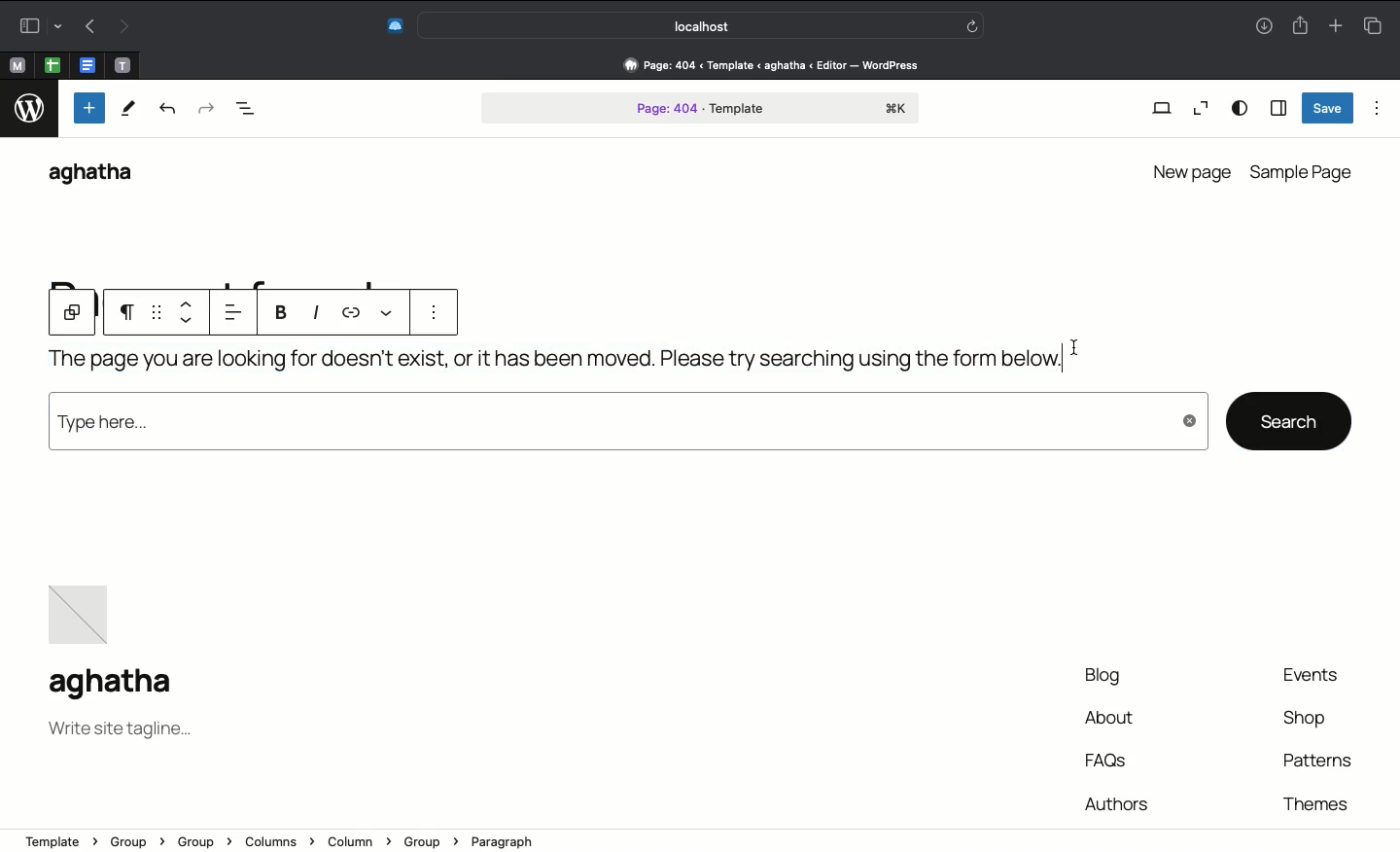 The height and width of the screenshot is (852, 1400). What do you see at coordinates (1304, 172) in the screenshot?
I see `Sample page` at bounding box center [1304, 172].